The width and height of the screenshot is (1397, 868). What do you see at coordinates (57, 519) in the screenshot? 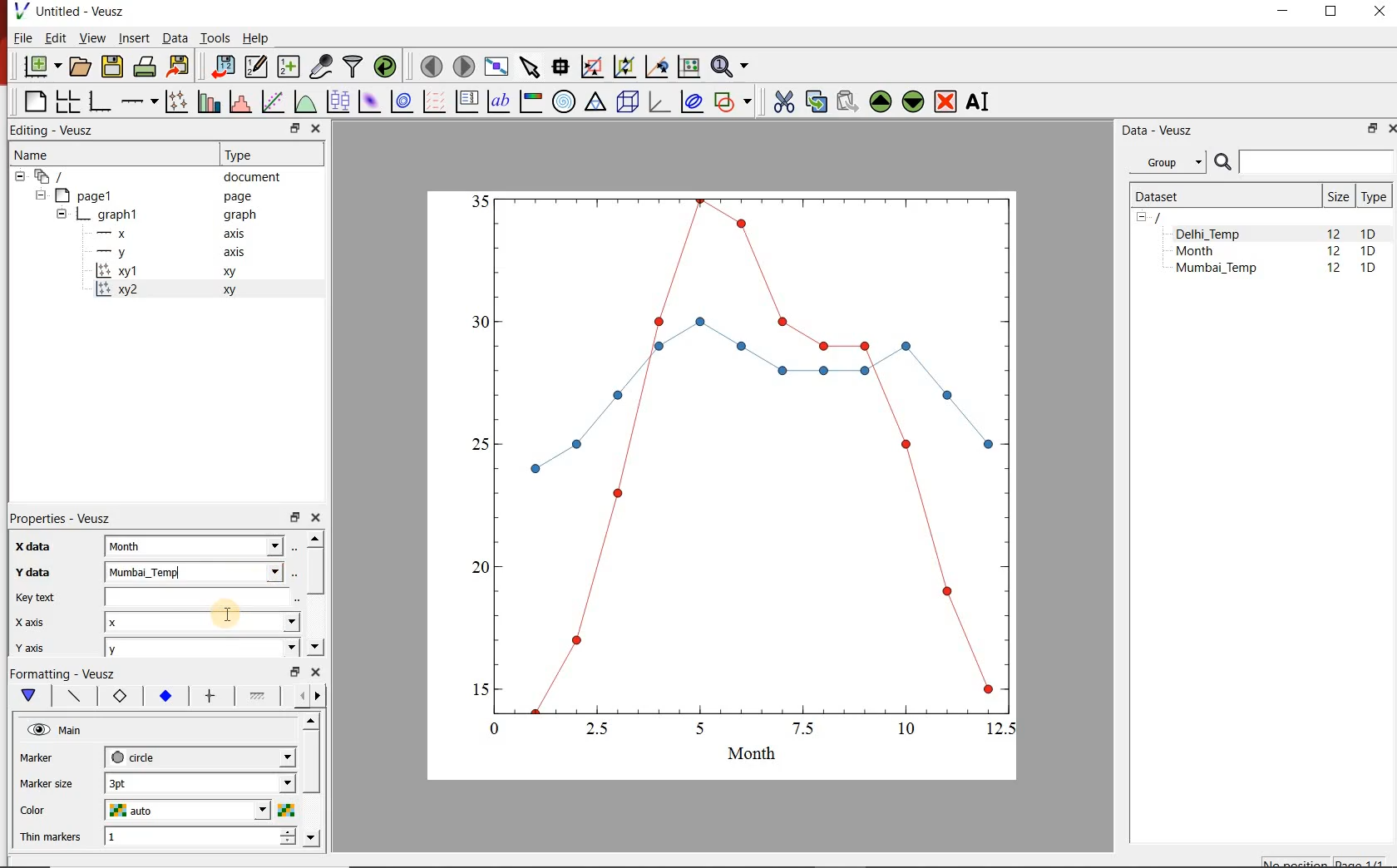
I see `Properties - Veusz` at bounding box center [57, 519].